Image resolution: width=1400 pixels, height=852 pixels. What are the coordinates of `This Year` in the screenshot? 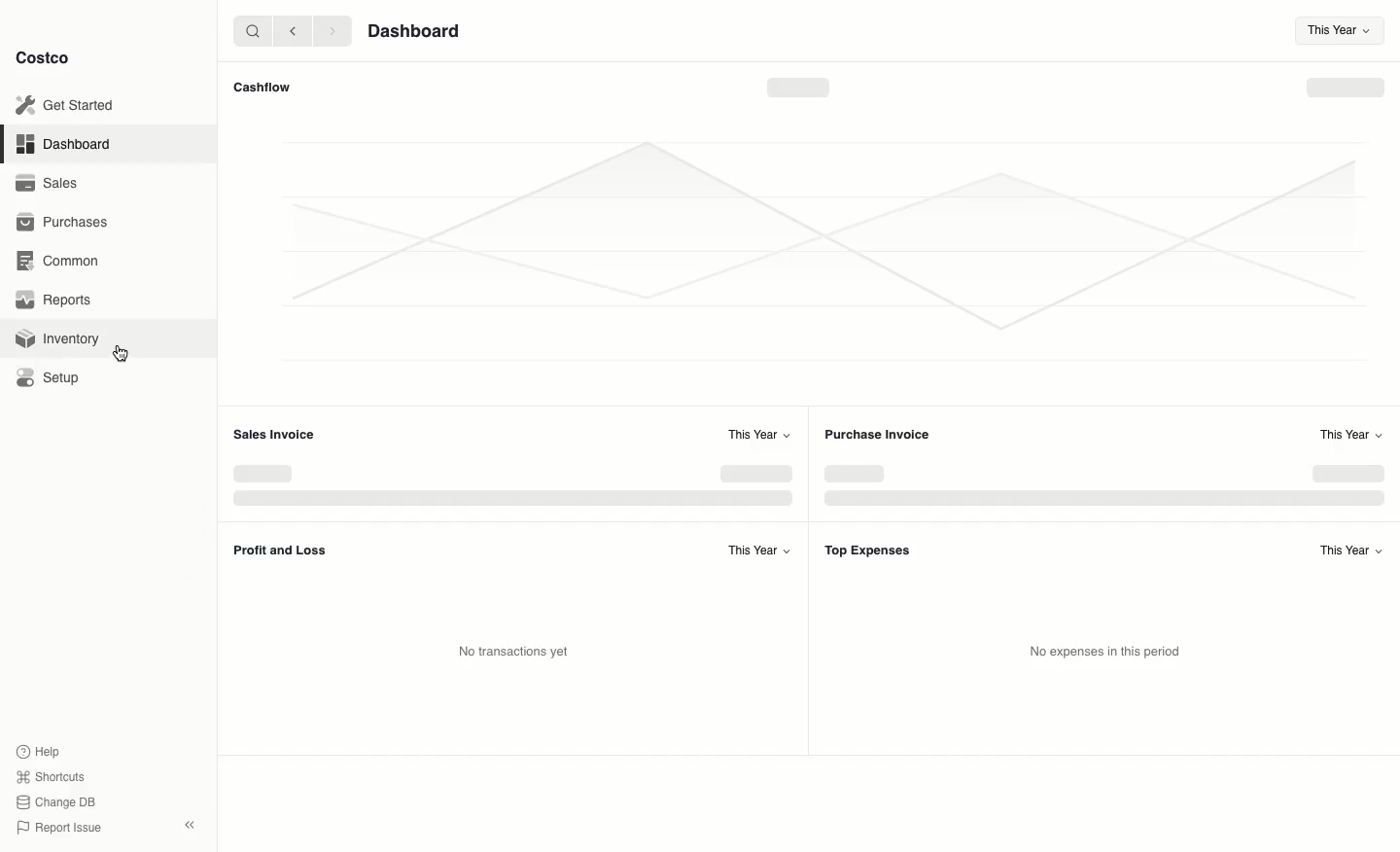 It's located at (1349, 550).